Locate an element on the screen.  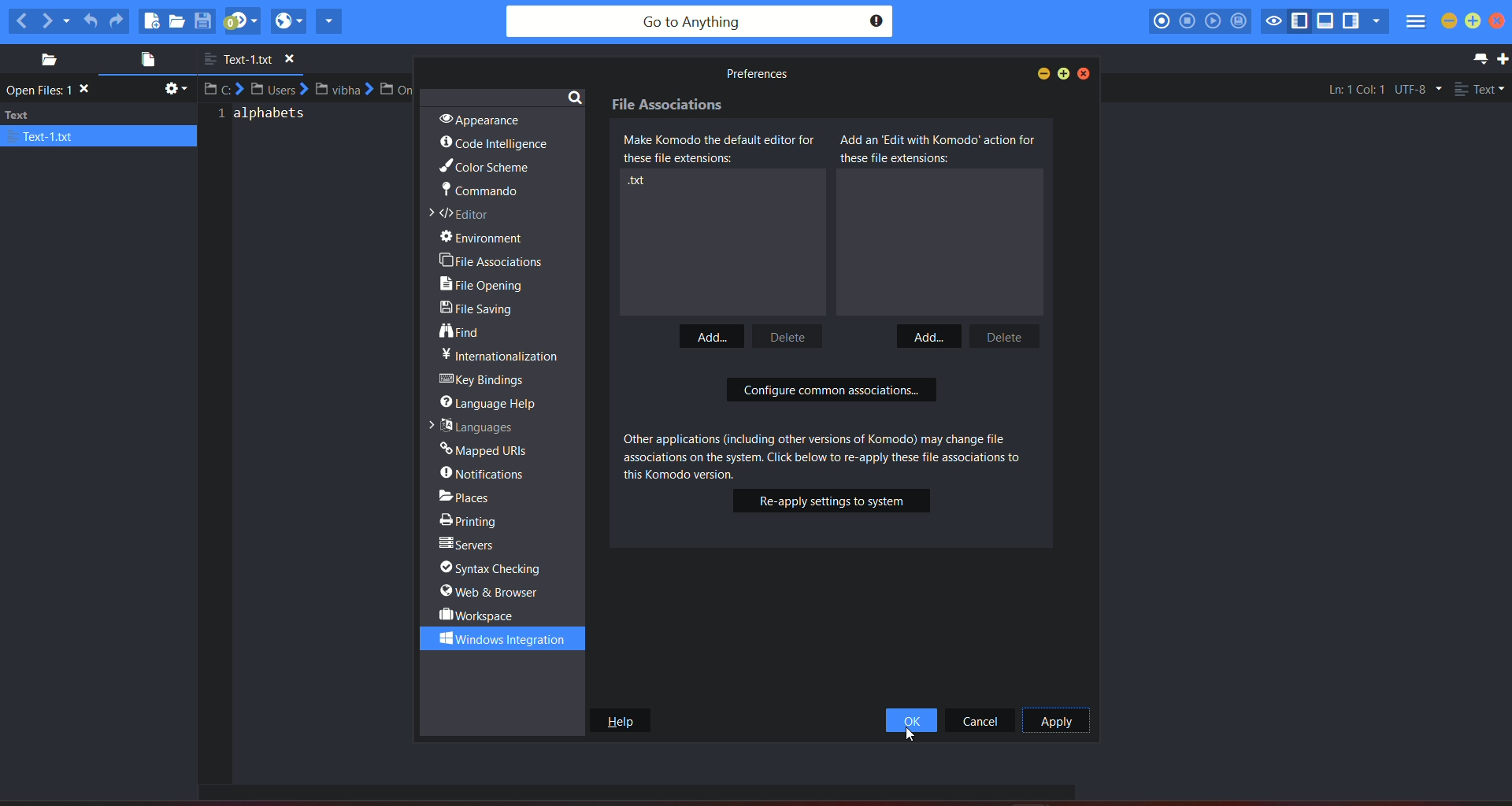
close is located at coordinates (1502, 22).